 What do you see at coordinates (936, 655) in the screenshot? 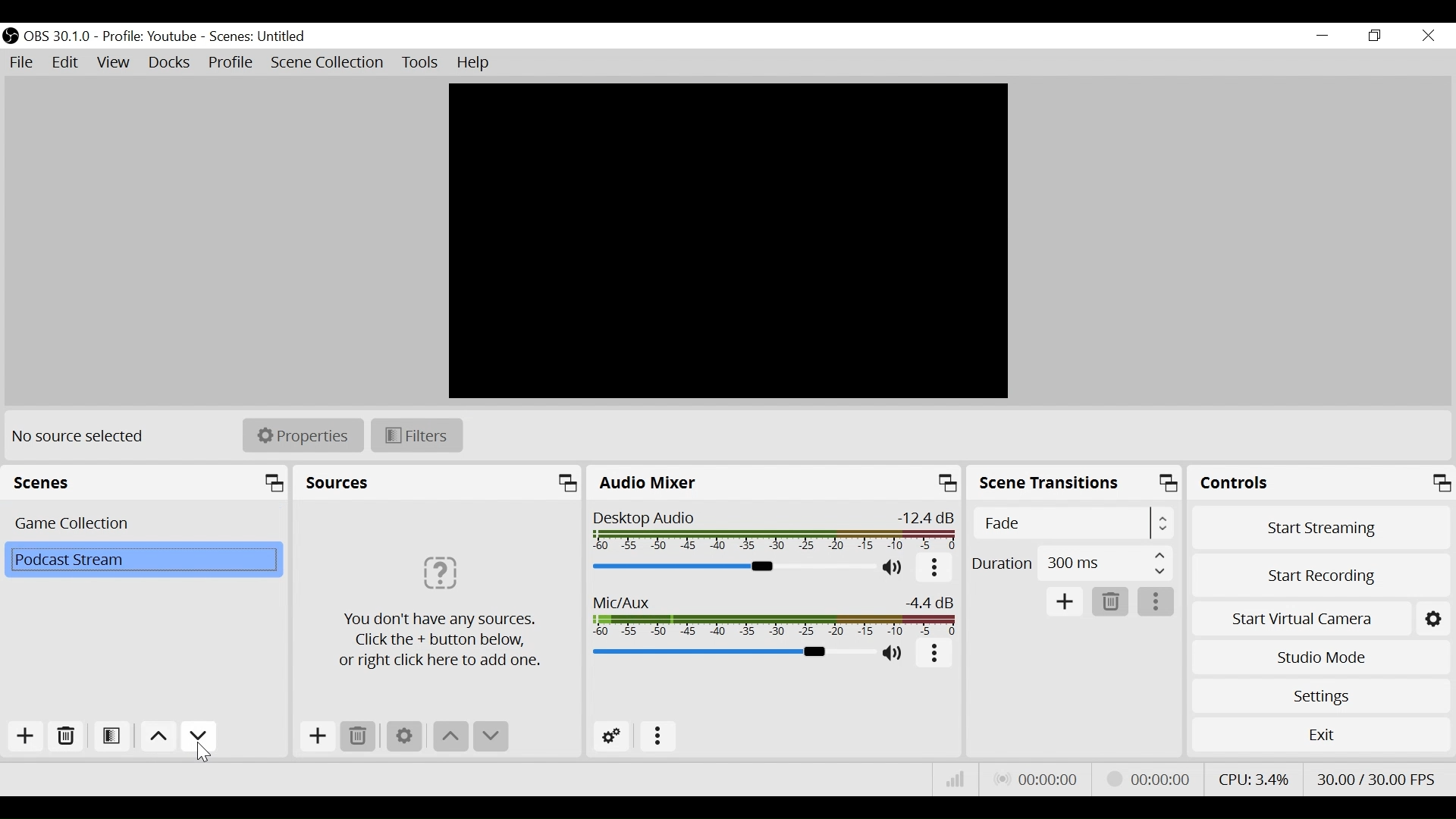
I see `more options` at bounding box center [936, 655].